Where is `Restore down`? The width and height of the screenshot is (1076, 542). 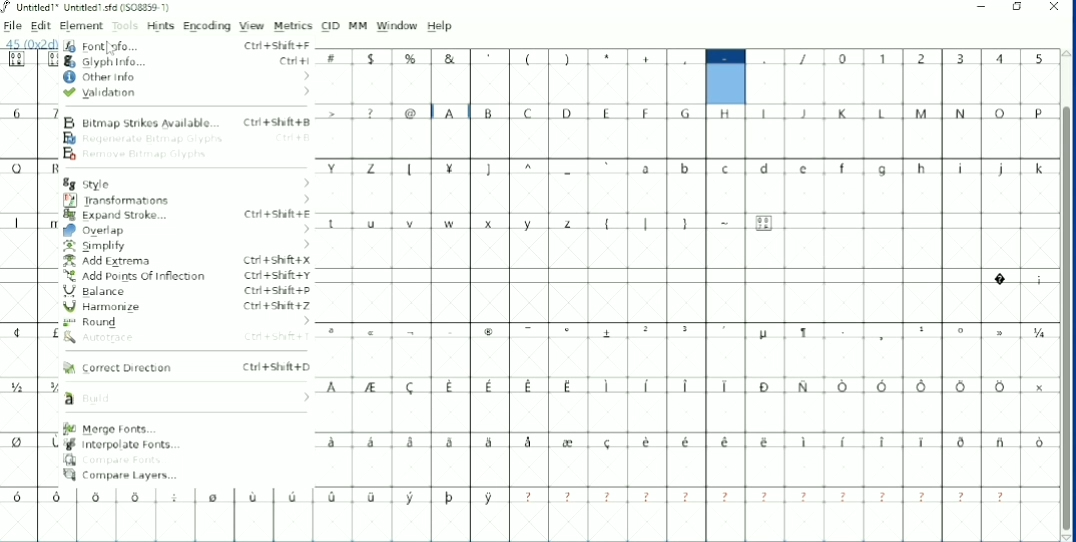 Restore down is located at coordinates (1019, 7).